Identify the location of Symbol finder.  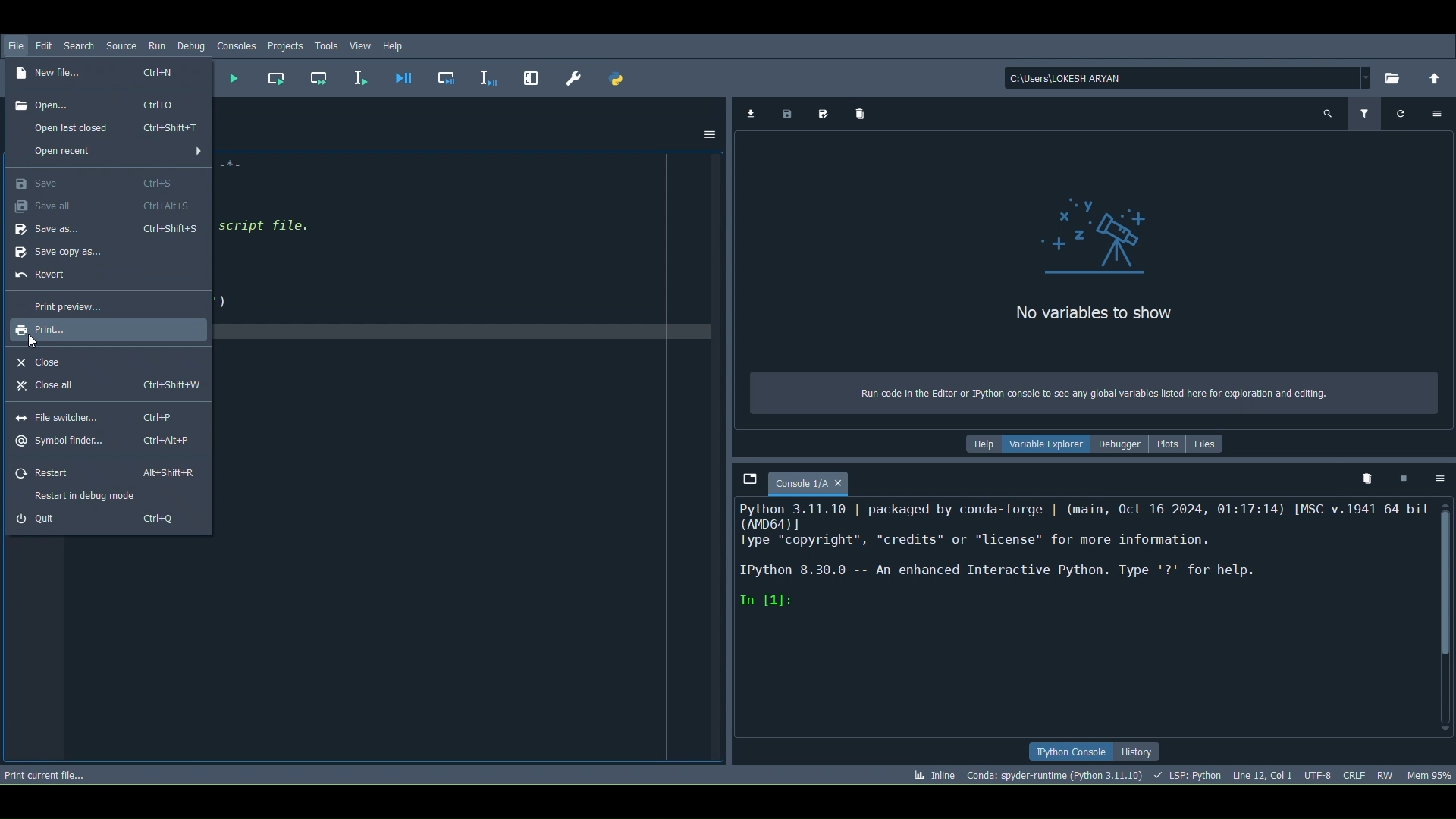
(110, 441).